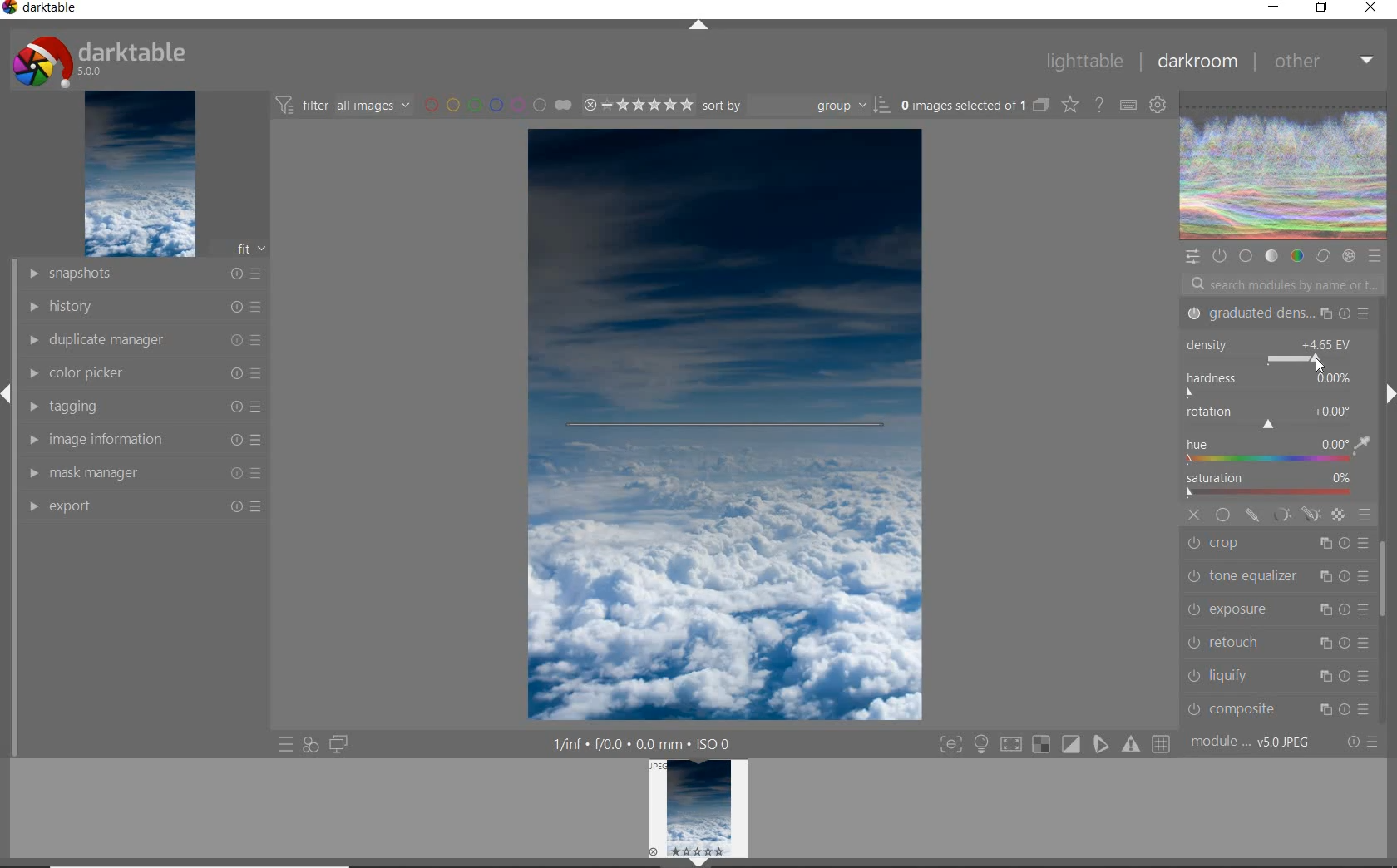  Describe the element at coordinates (241, 249) in the screenshot. I see `fit` at that location.